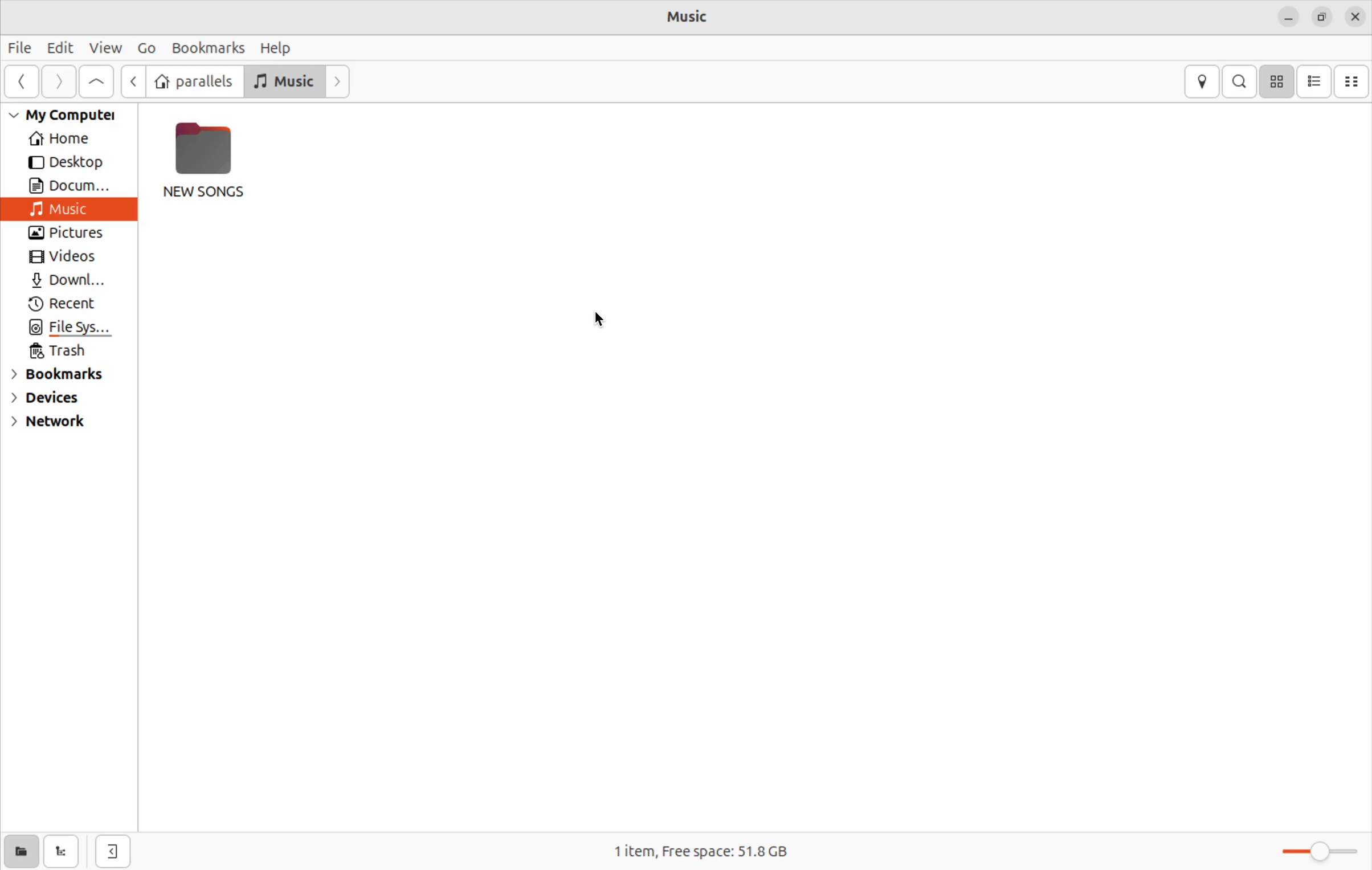 The height and width of the screenshot is (870, 1372). What do you see at coordinates (607, 320) in the screenshot?
I see `cursor` at bounding box center [607, 320].